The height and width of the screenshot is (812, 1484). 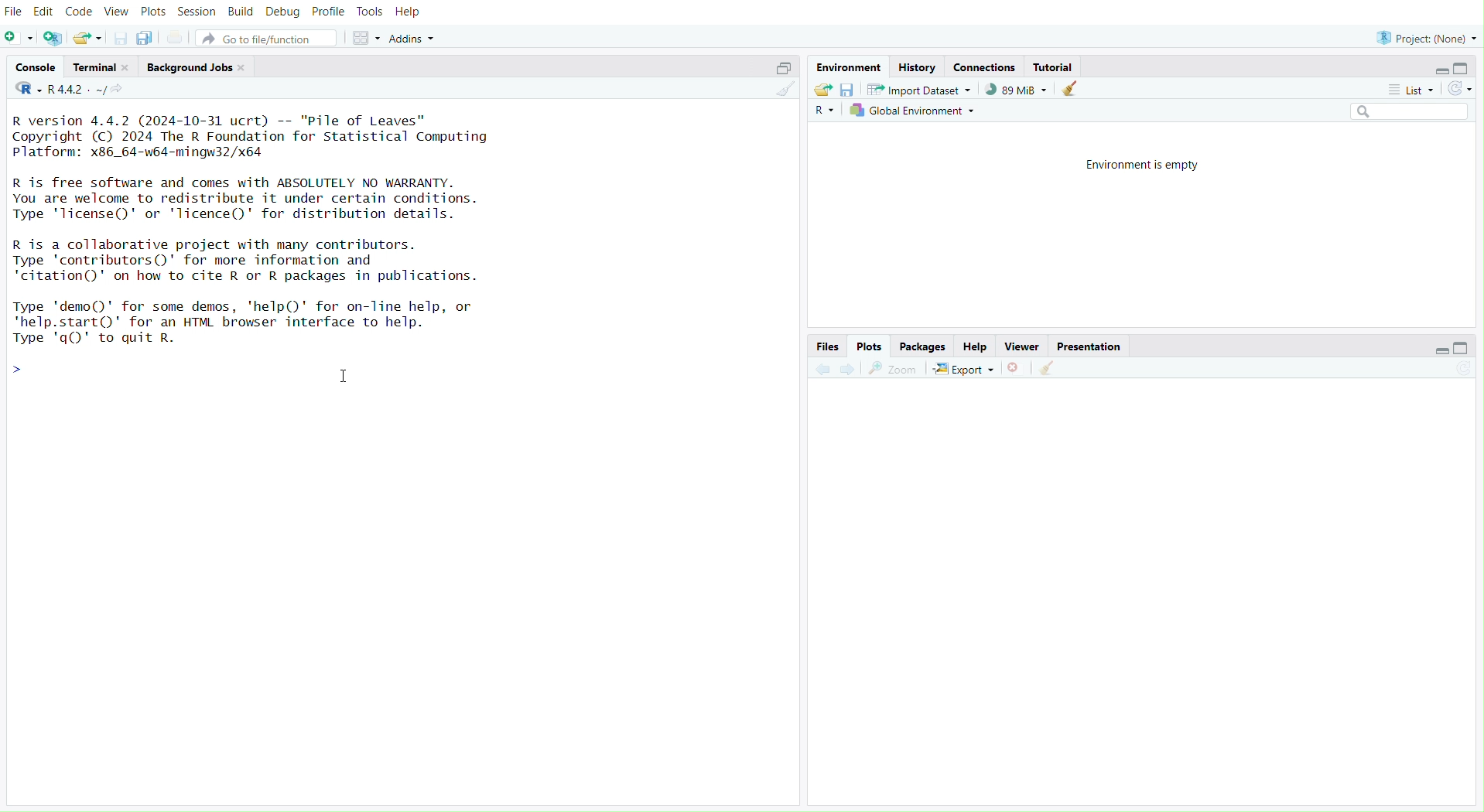 I want to click on Maximize, so click(x=782, y=66).